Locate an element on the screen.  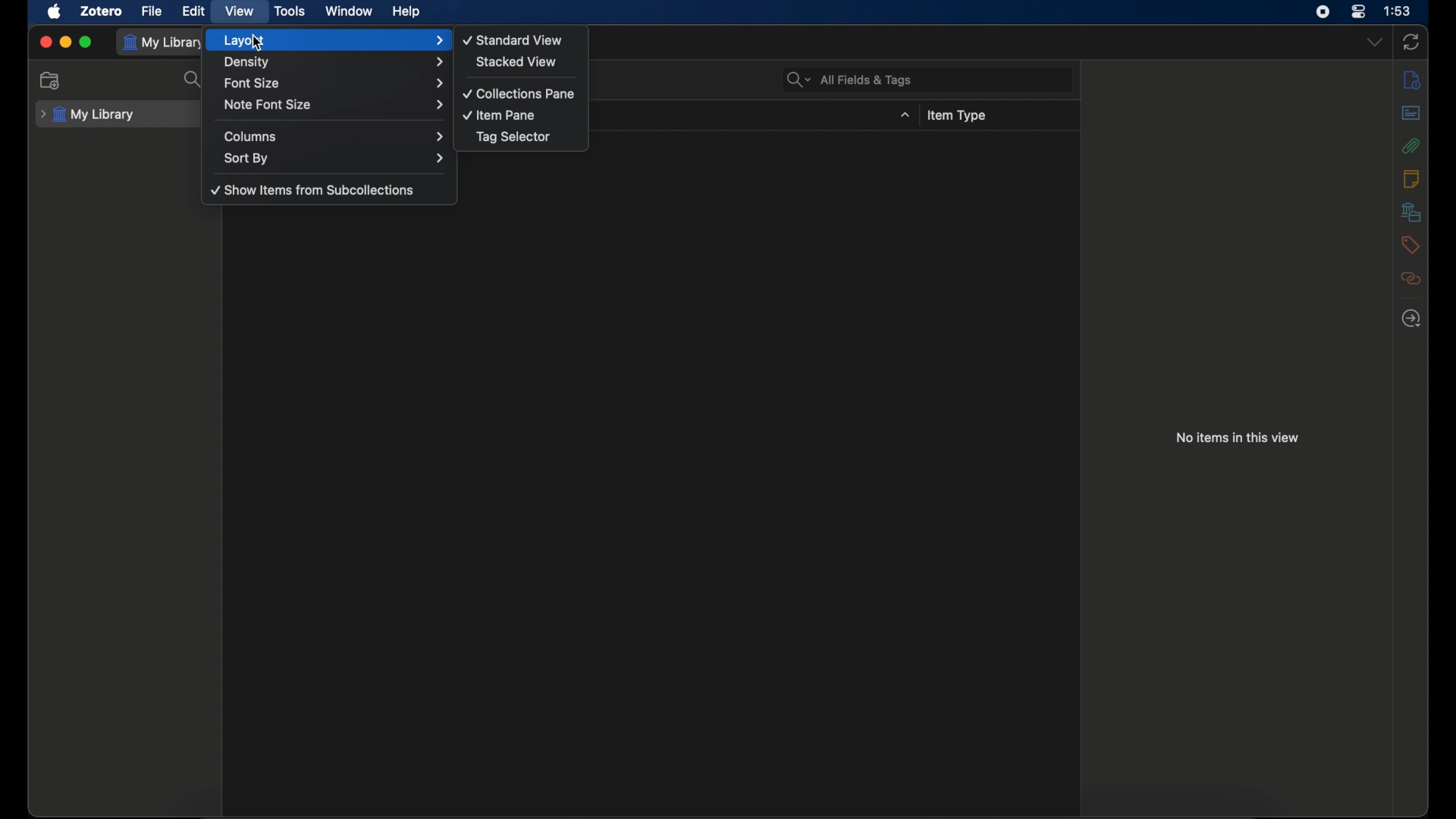
cursor is located at coordinates (256, 44).